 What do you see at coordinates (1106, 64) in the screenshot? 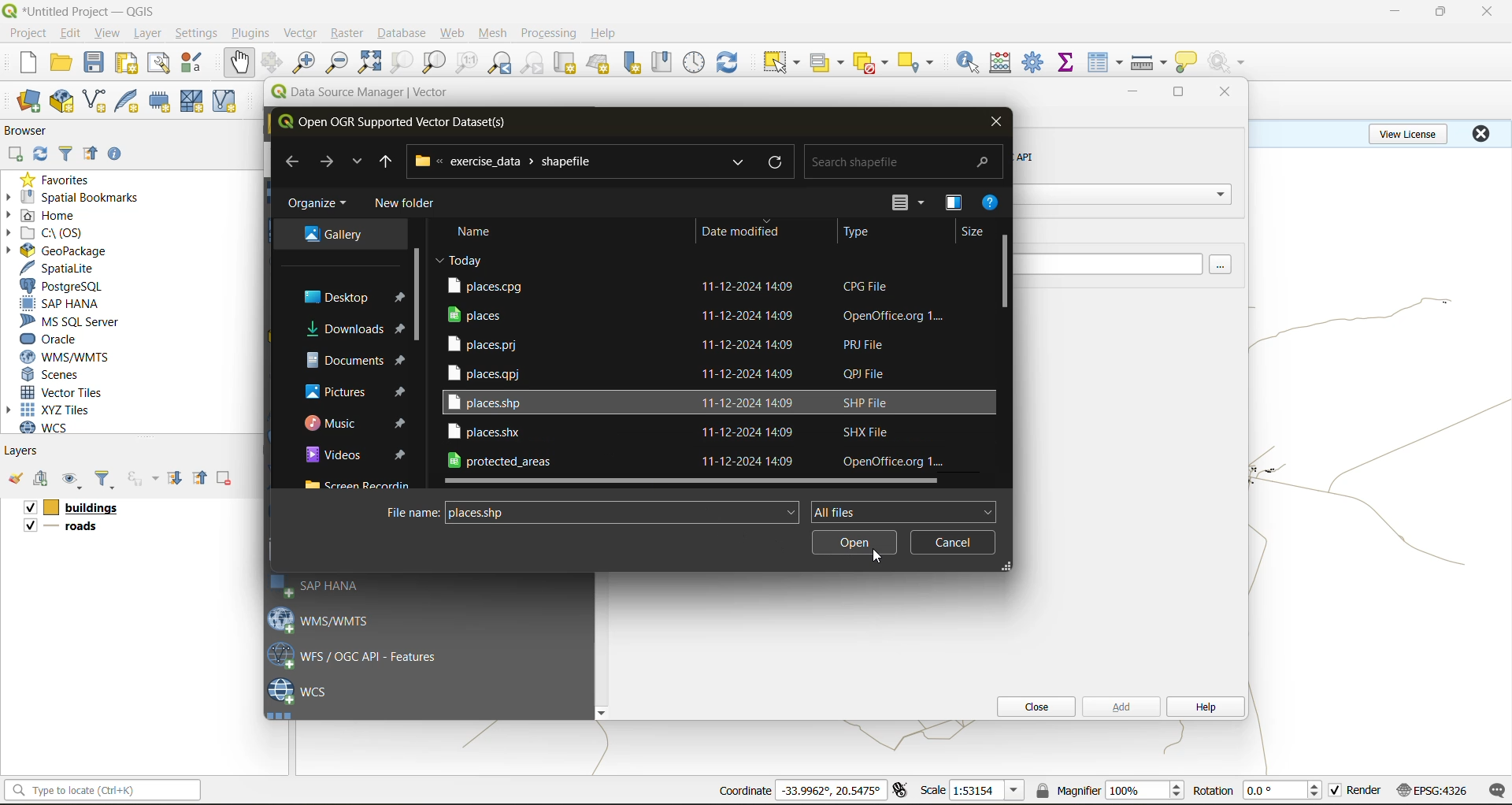
I see `attributes table` at bounding box center [1106, 64].